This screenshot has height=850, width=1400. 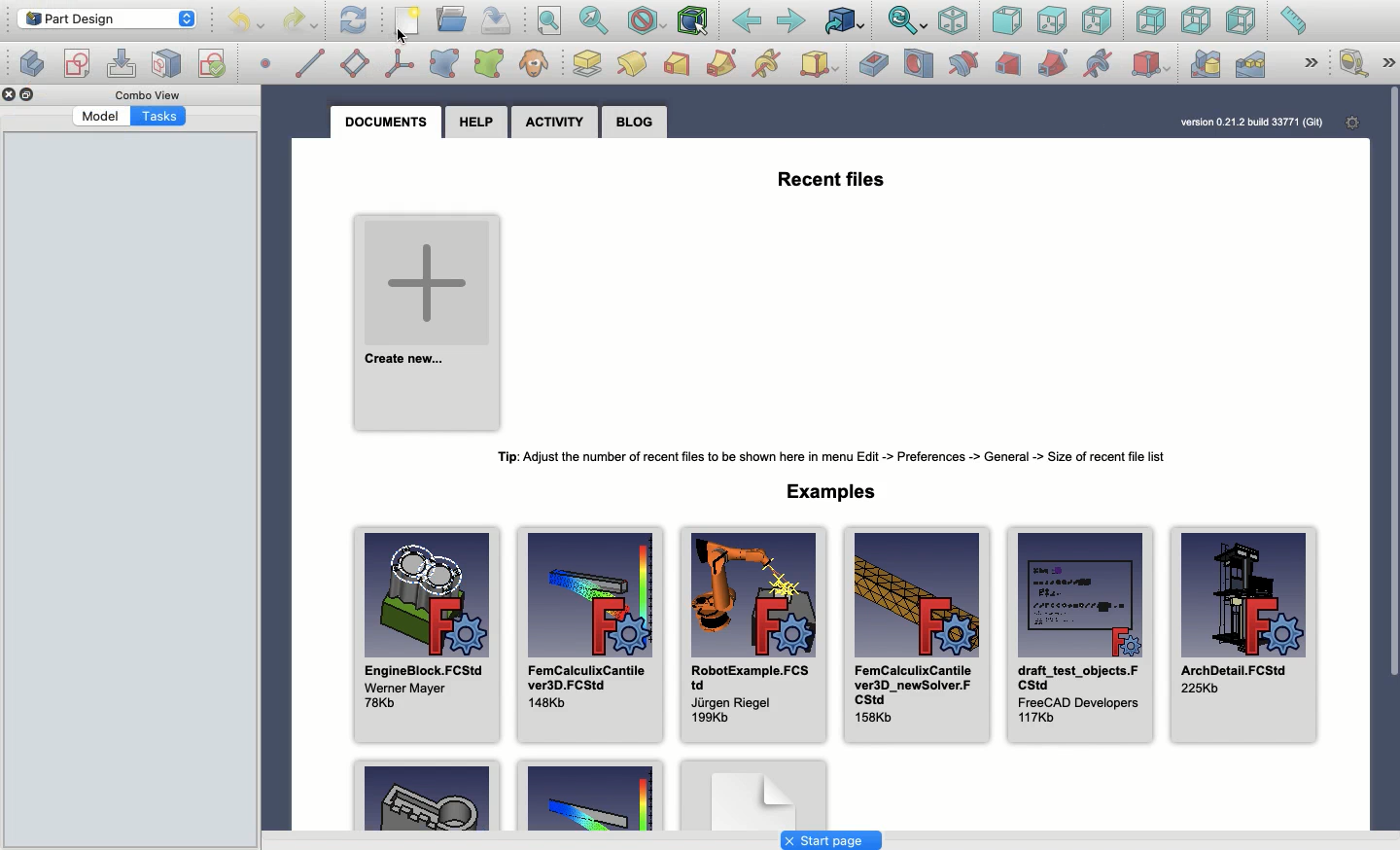 I want to click on Datum point, so click(x=266, y=61).